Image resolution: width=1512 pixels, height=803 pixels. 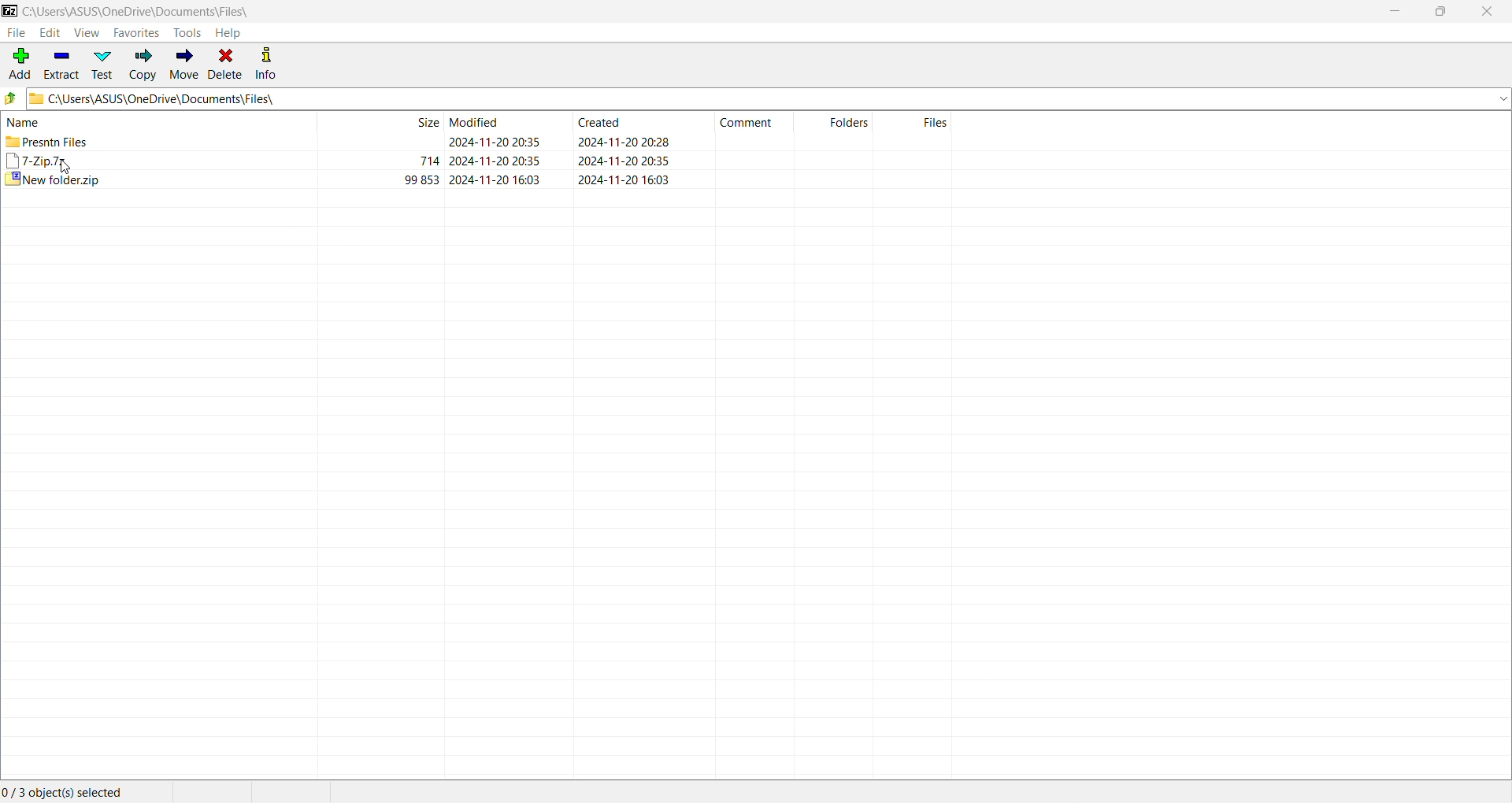 I want to click on 7-Zip 7, so click(x=38, y=160).